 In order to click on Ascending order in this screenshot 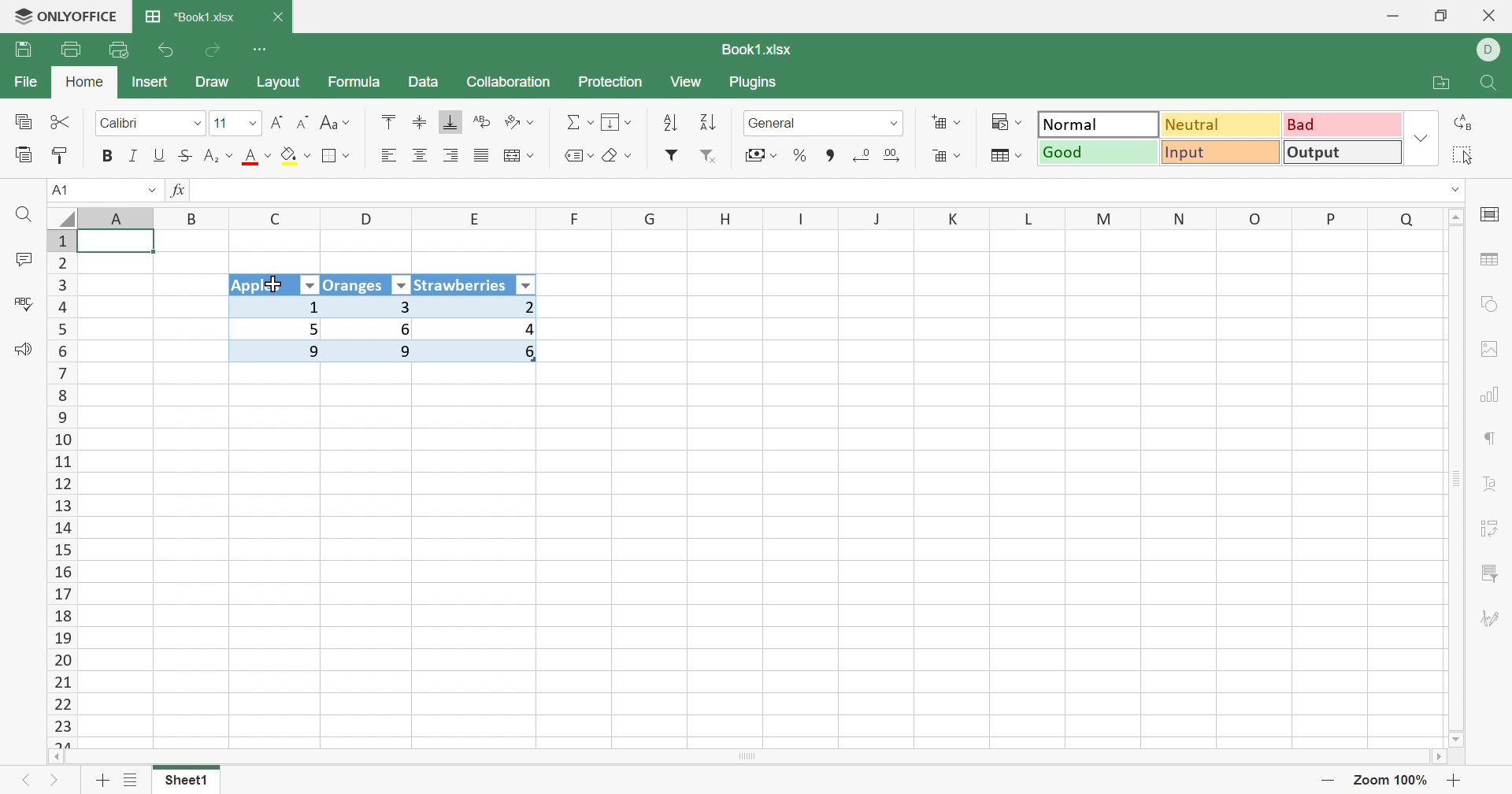, I will do `click(669, 124)`.